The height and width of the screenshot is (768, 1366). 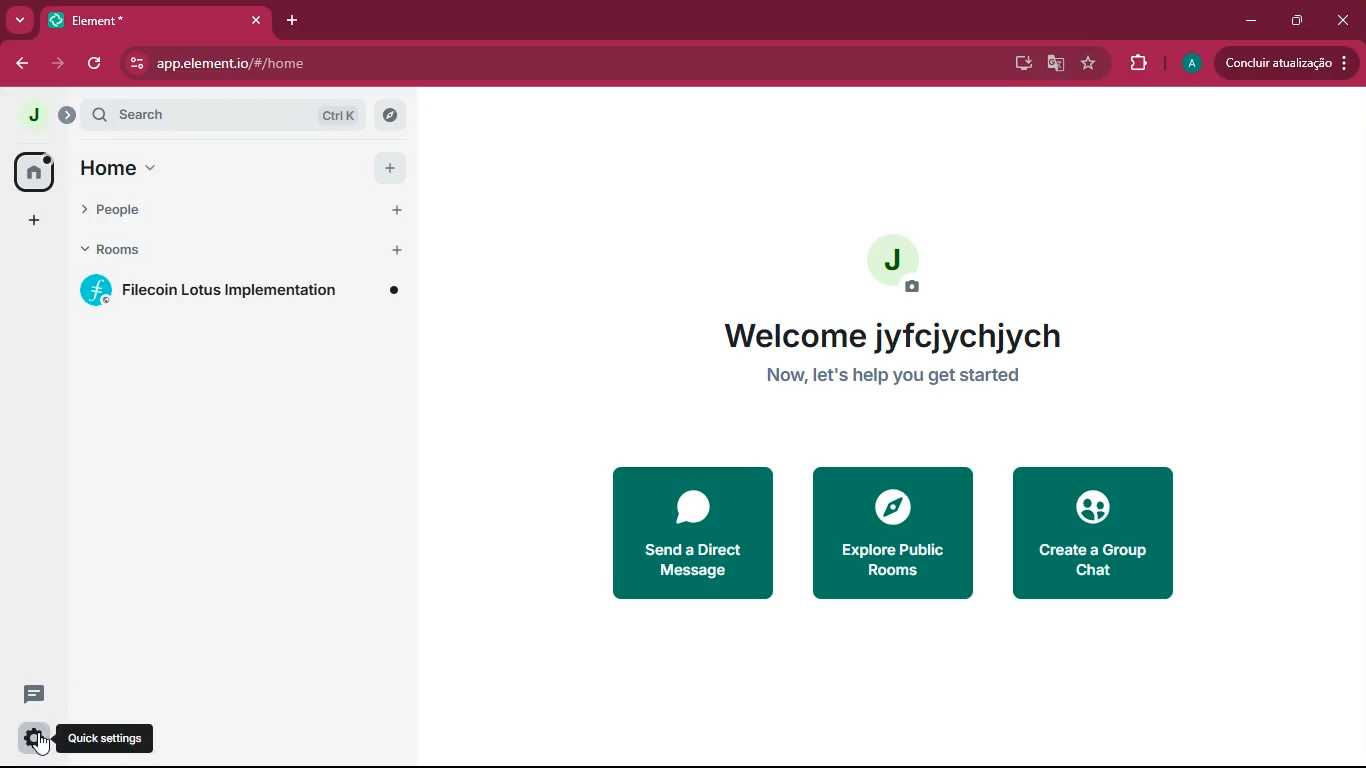 What do you see at coordinates (36, 173) in the screenshot?
I see `home` at bounding box center [36, 173].